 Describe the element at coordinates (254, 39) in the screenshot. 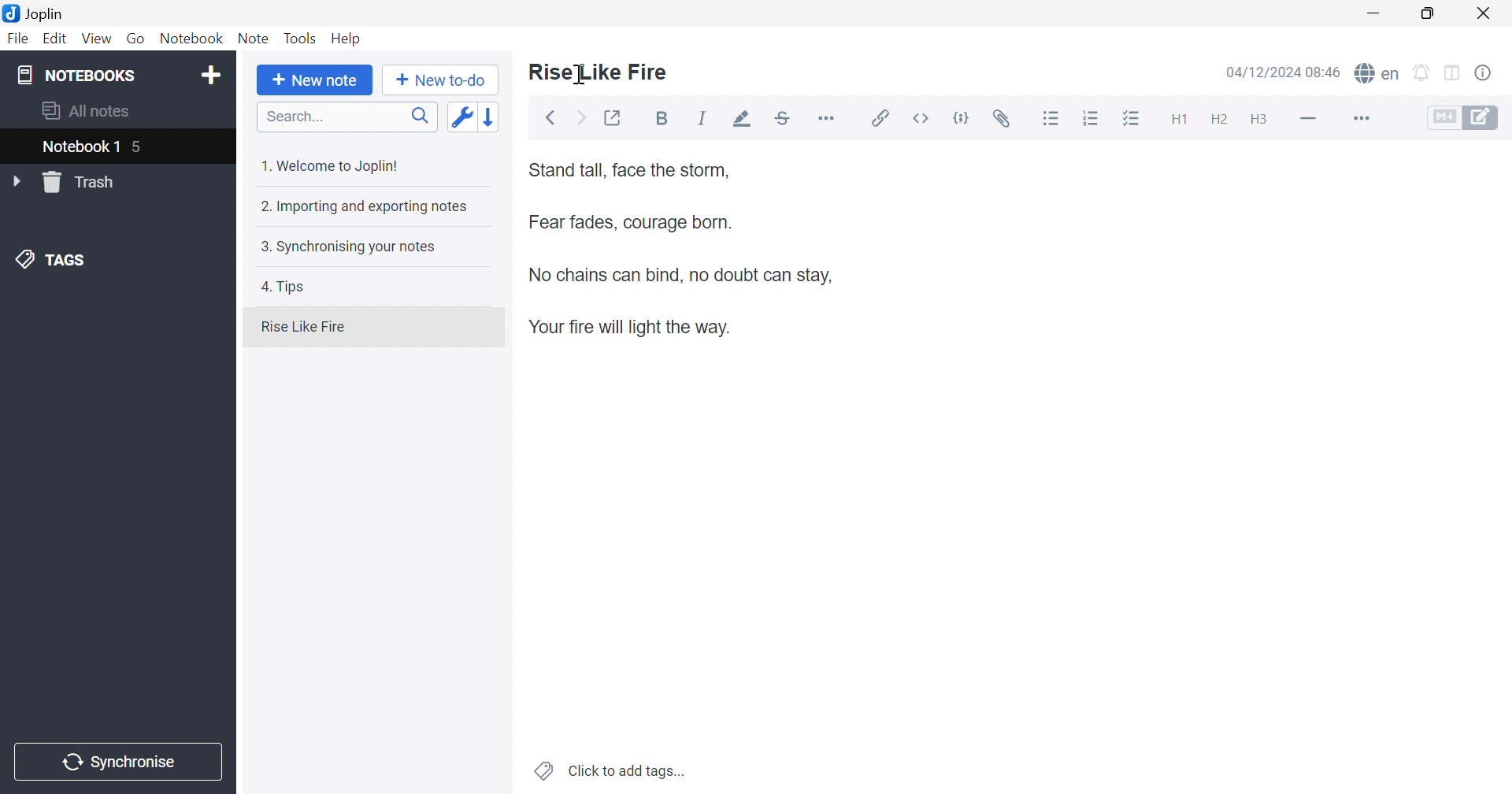

I see `Note` at that location.